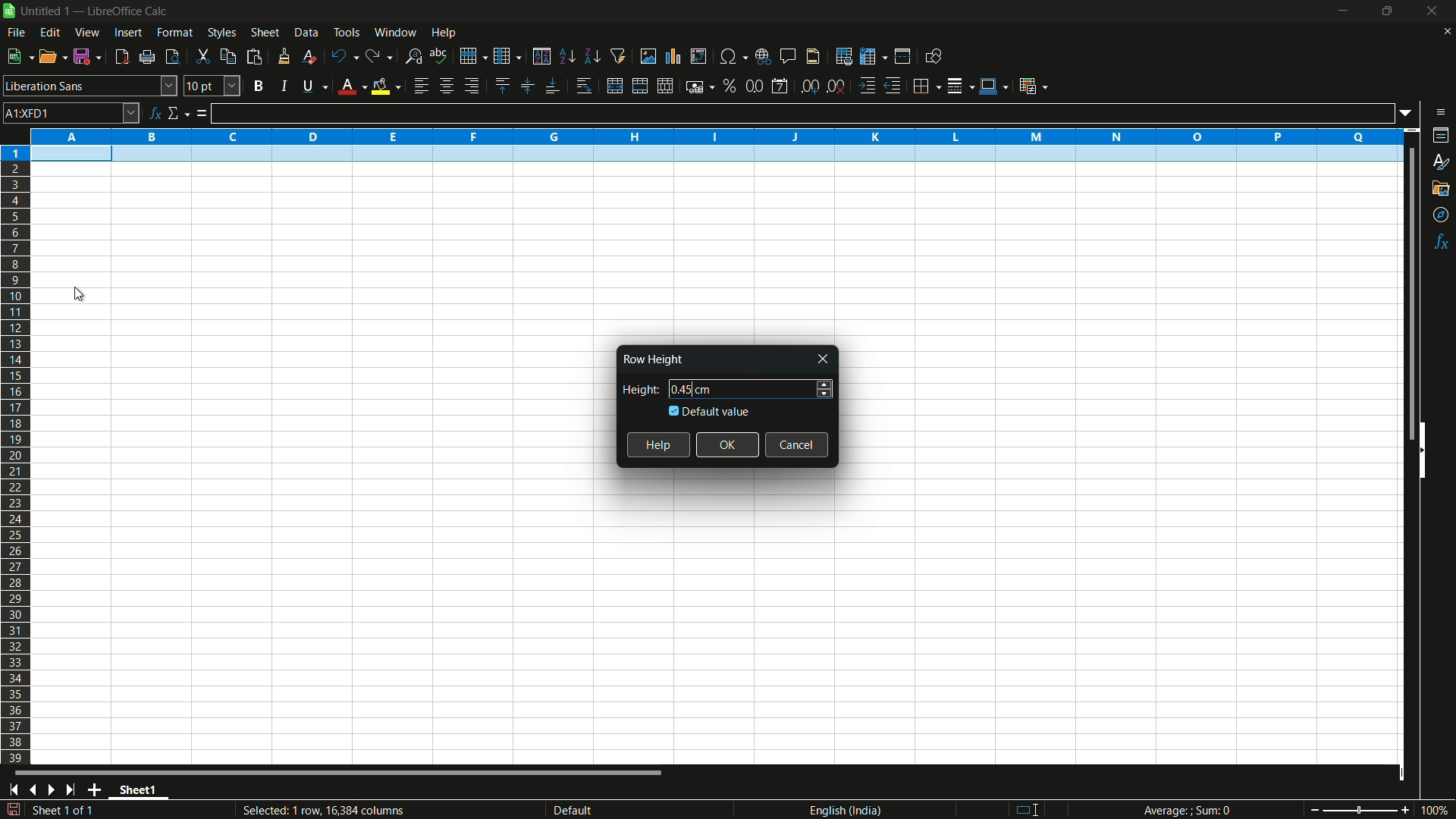 Image resolution: width=1456 pixels, height=819 pixels. What do you see at coordinates (16, 454) in the screenshot?
I see `rows` at bounding box center [16, 454].